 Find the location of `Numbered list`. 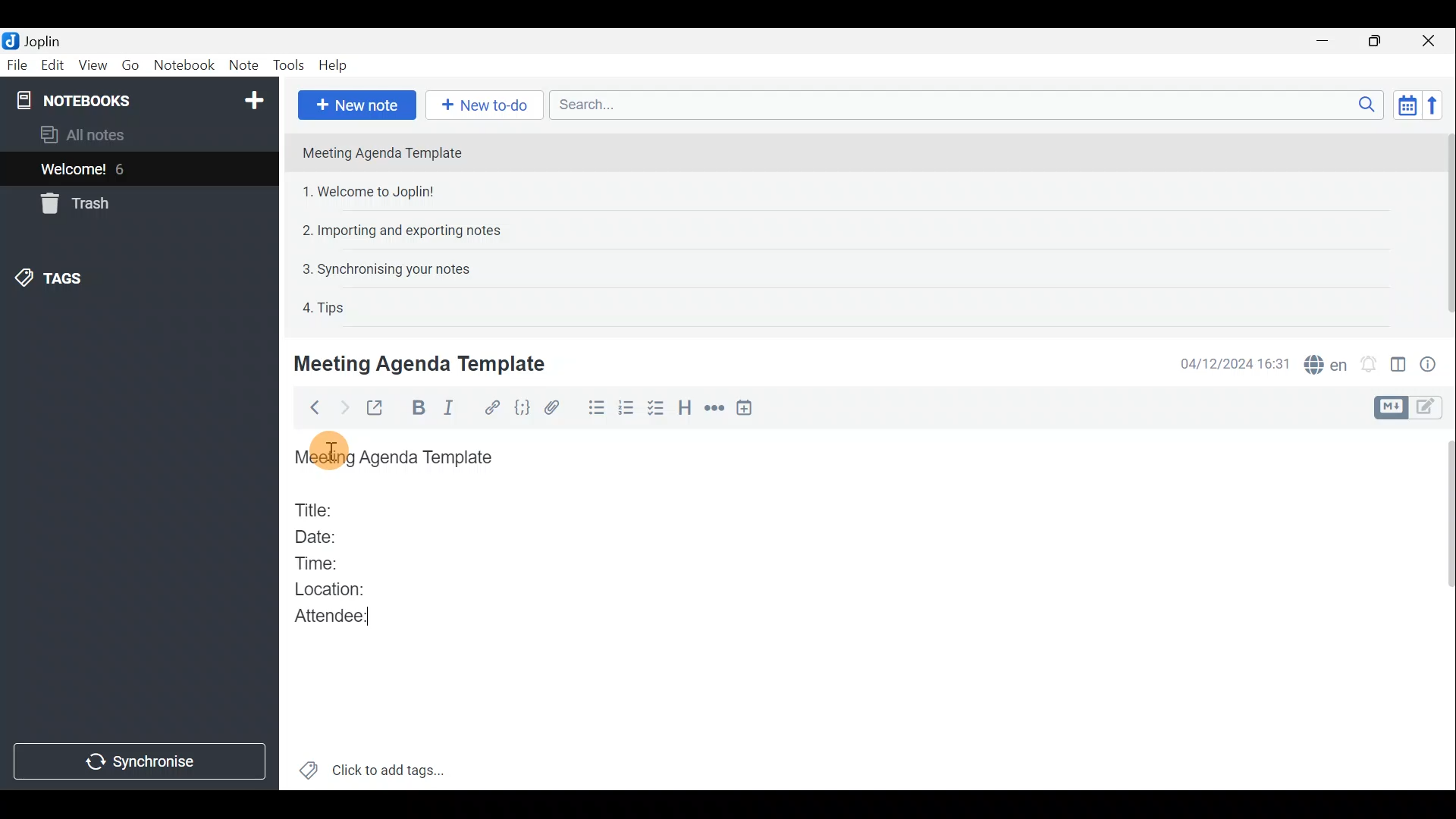

Numbered list is located at coordinates (626, 410).